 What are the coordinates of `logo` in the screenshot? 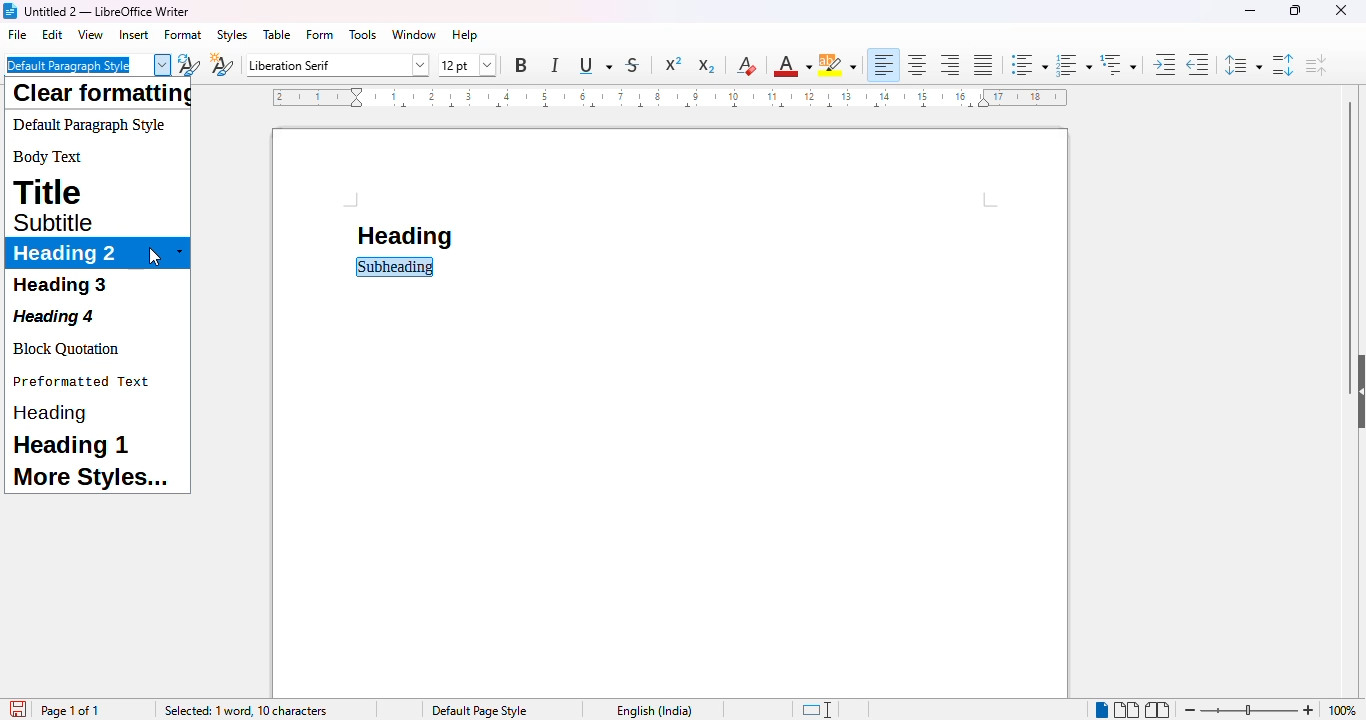 It's located at (11, 11).